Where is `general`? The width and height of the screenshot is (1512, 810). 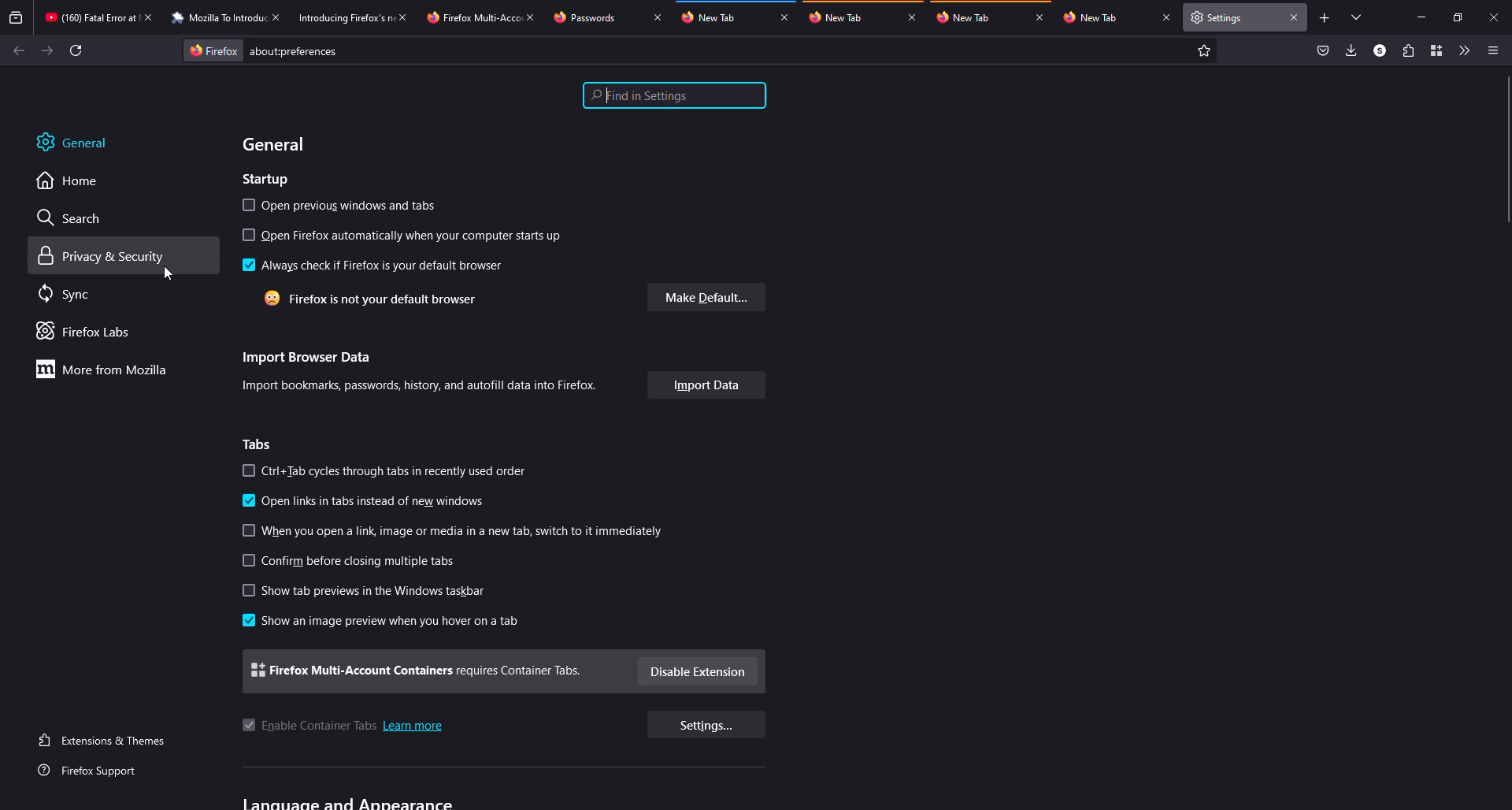
general is located at coordinates (74, 143).